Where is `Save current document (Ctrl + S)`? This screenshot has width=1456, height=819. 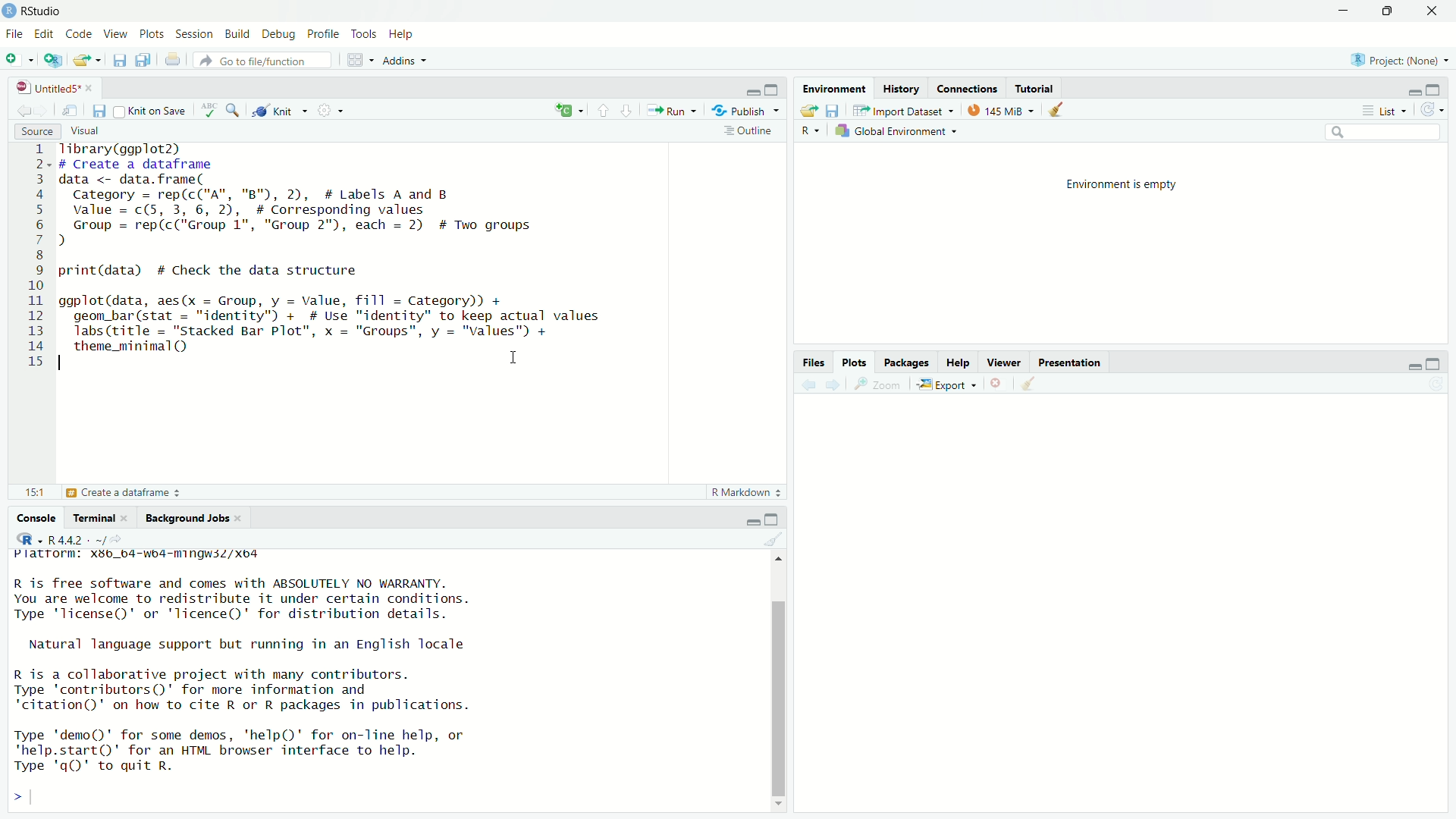 Save current document (Ctrl + S) is located at coordinates (99, 109).